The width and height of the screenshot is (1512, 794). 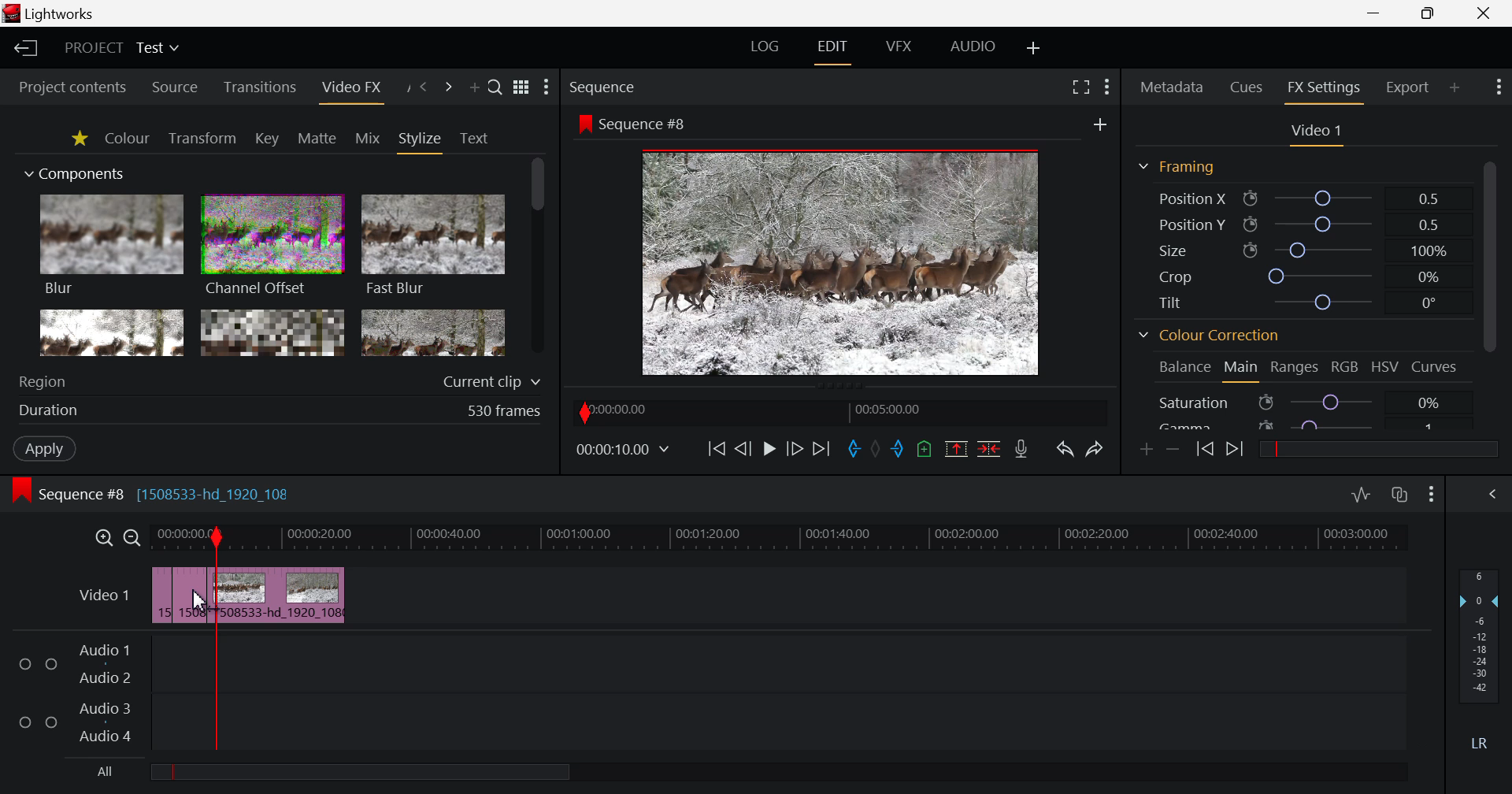 What do you see at coordinates (25, 49) in the screenshot?
I see `Back to Homepage` at bounding box center [25, 49].